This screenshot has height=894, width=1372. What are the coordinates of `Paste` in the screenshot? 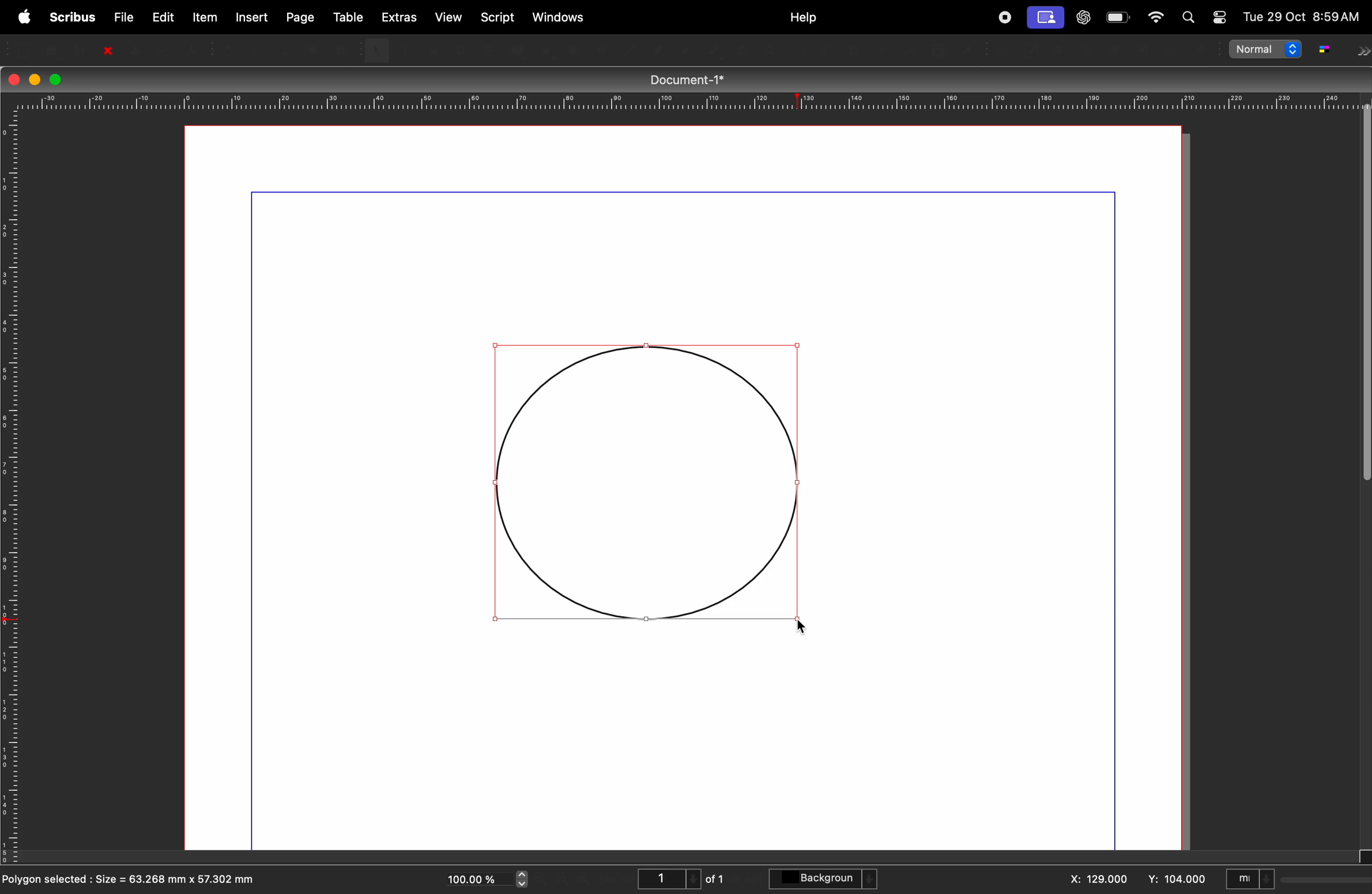 It's located at (344, 48).